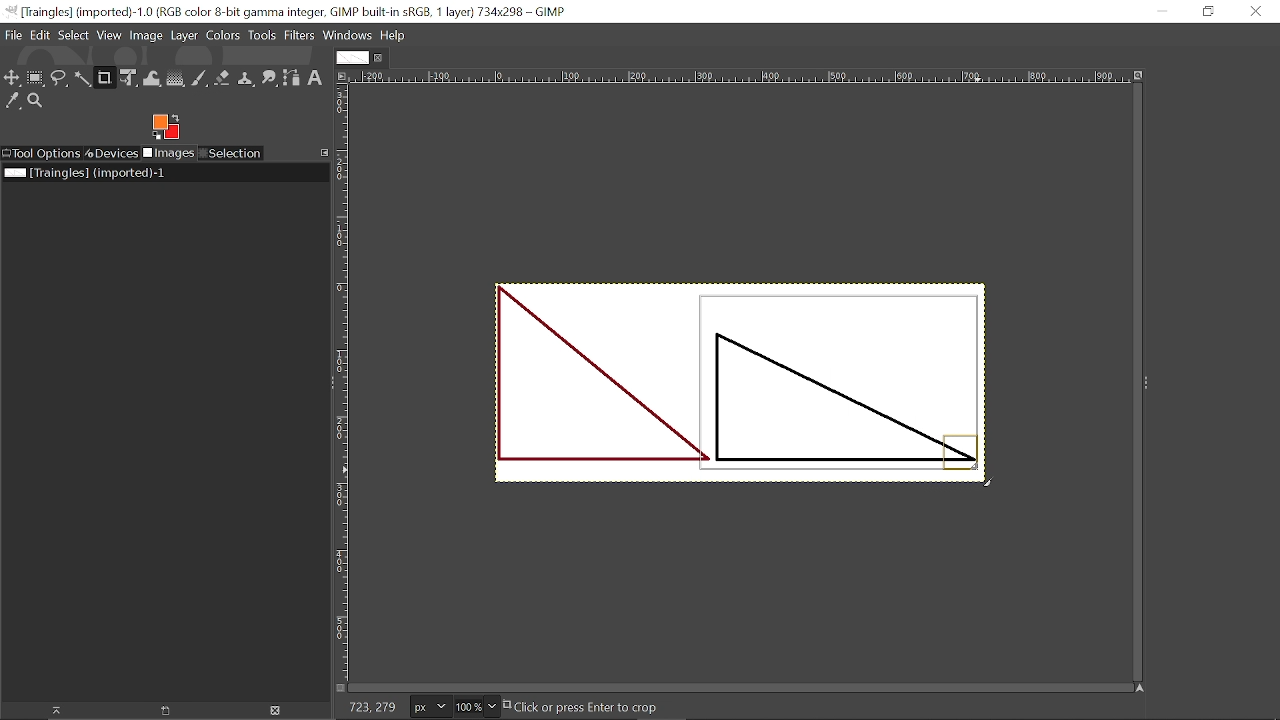 The image size is (1280, 720). Describe the element at coordinates (281, 711) in the screenshot. I see `Delete image` at that location.